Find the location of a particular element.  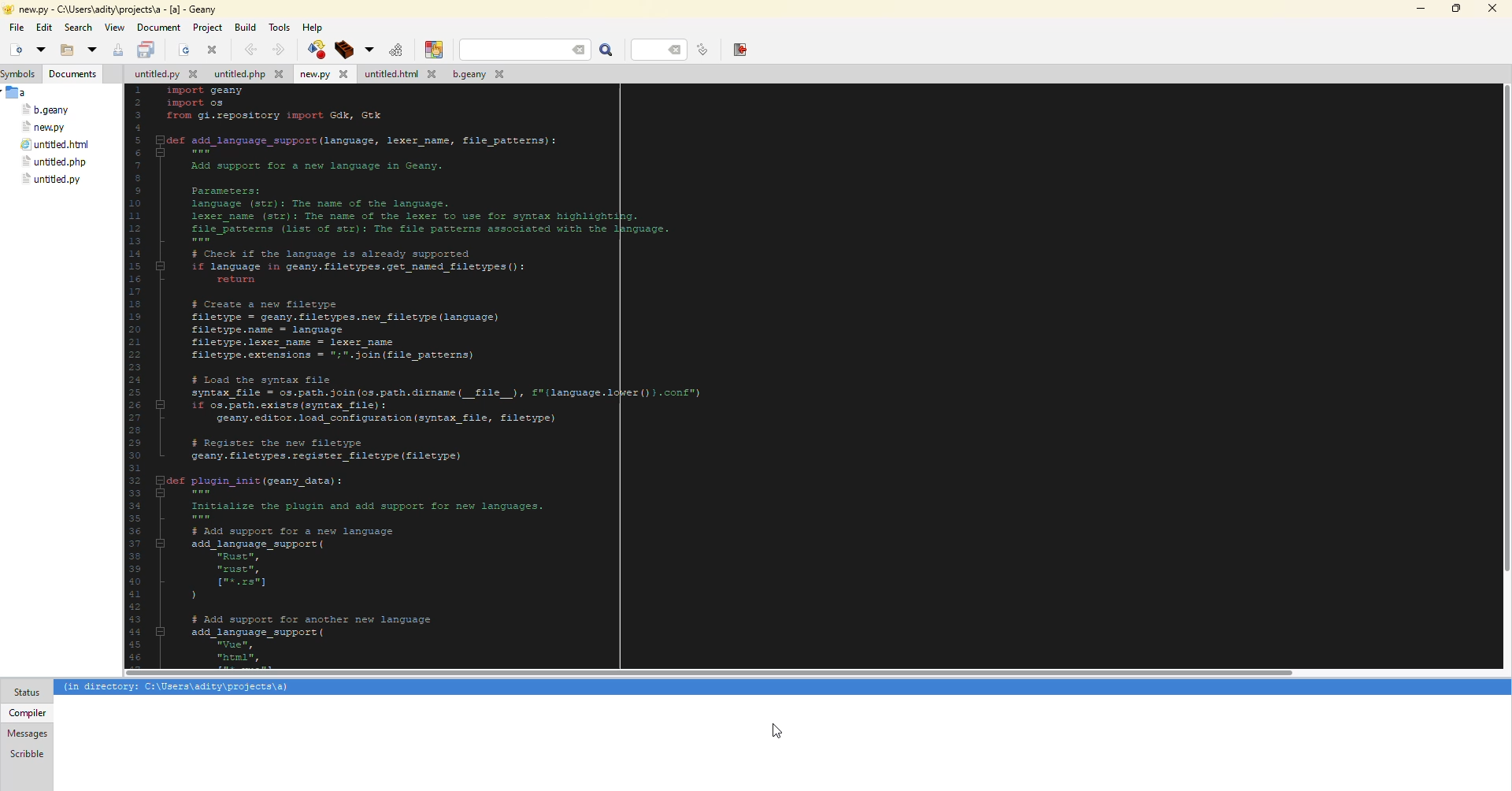

search is located at coordinates (606, 50).